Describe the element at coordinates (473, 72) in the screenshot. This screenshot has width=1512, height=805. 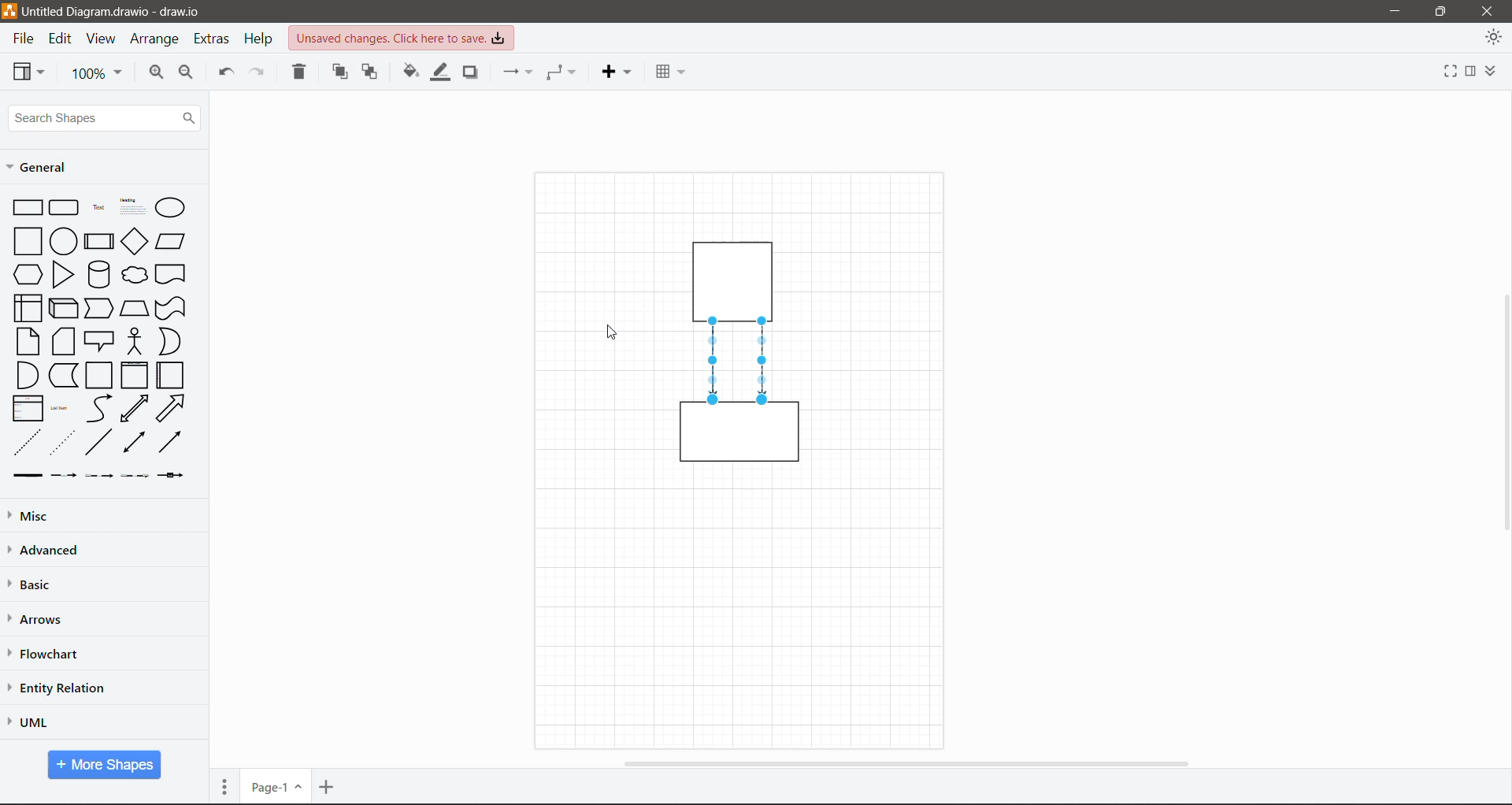
I see `Shadow` at that location.